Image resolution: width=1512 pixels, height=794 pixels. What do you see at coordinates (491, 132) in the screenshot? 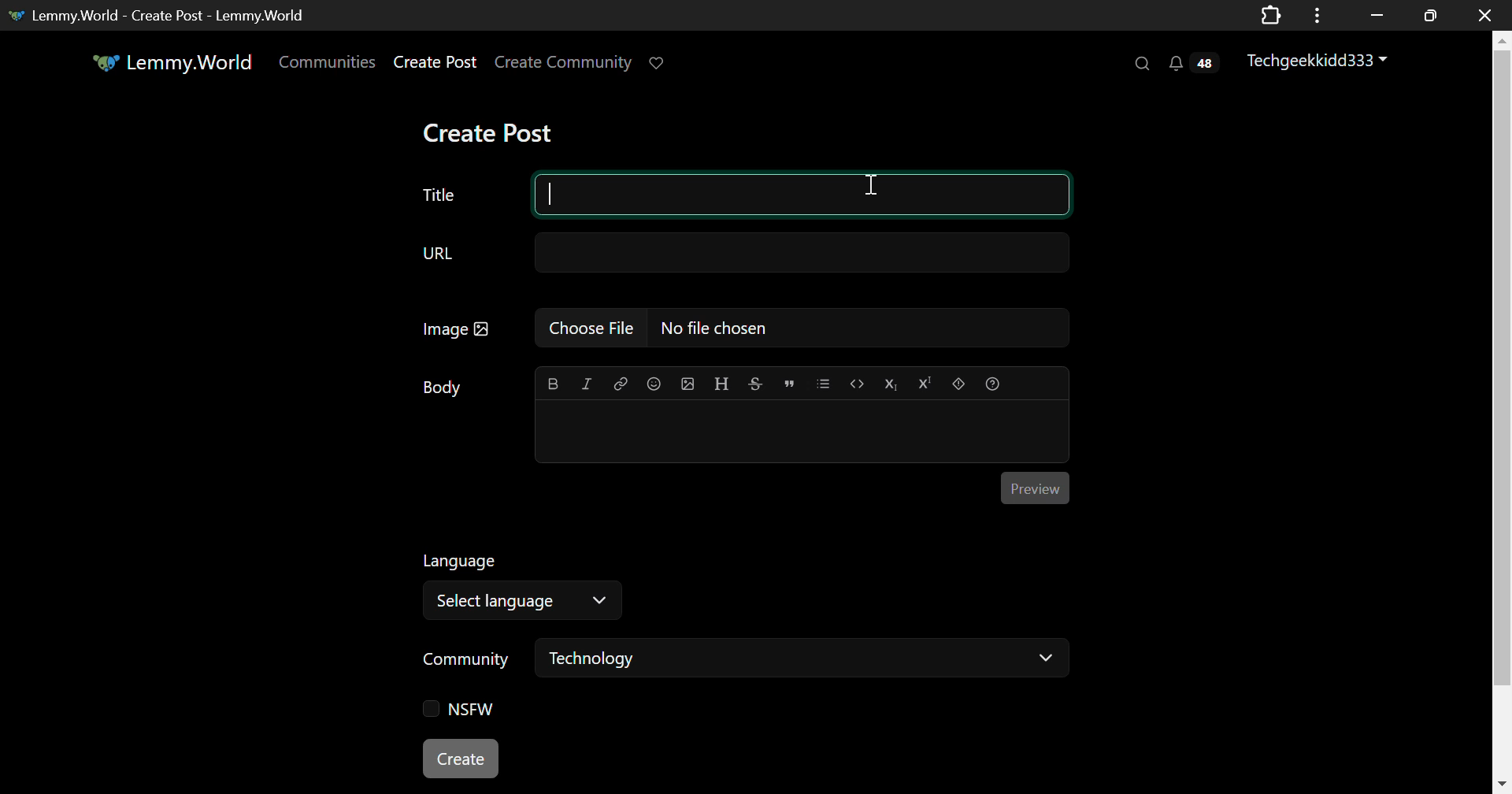
I see `Create Post` at bounding box center [491, 132].